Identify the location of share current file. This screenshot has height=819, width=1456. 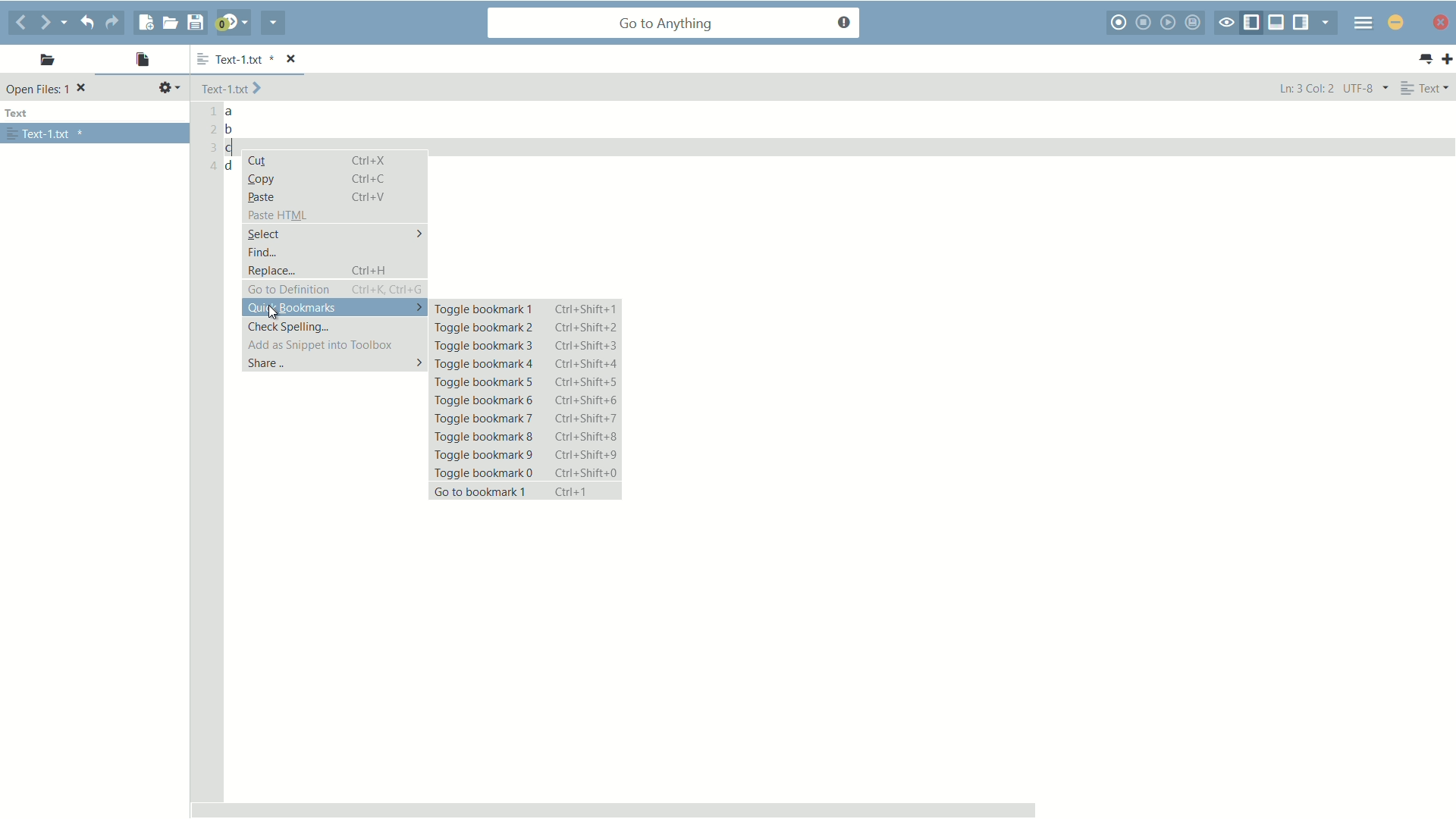
(272, 24).